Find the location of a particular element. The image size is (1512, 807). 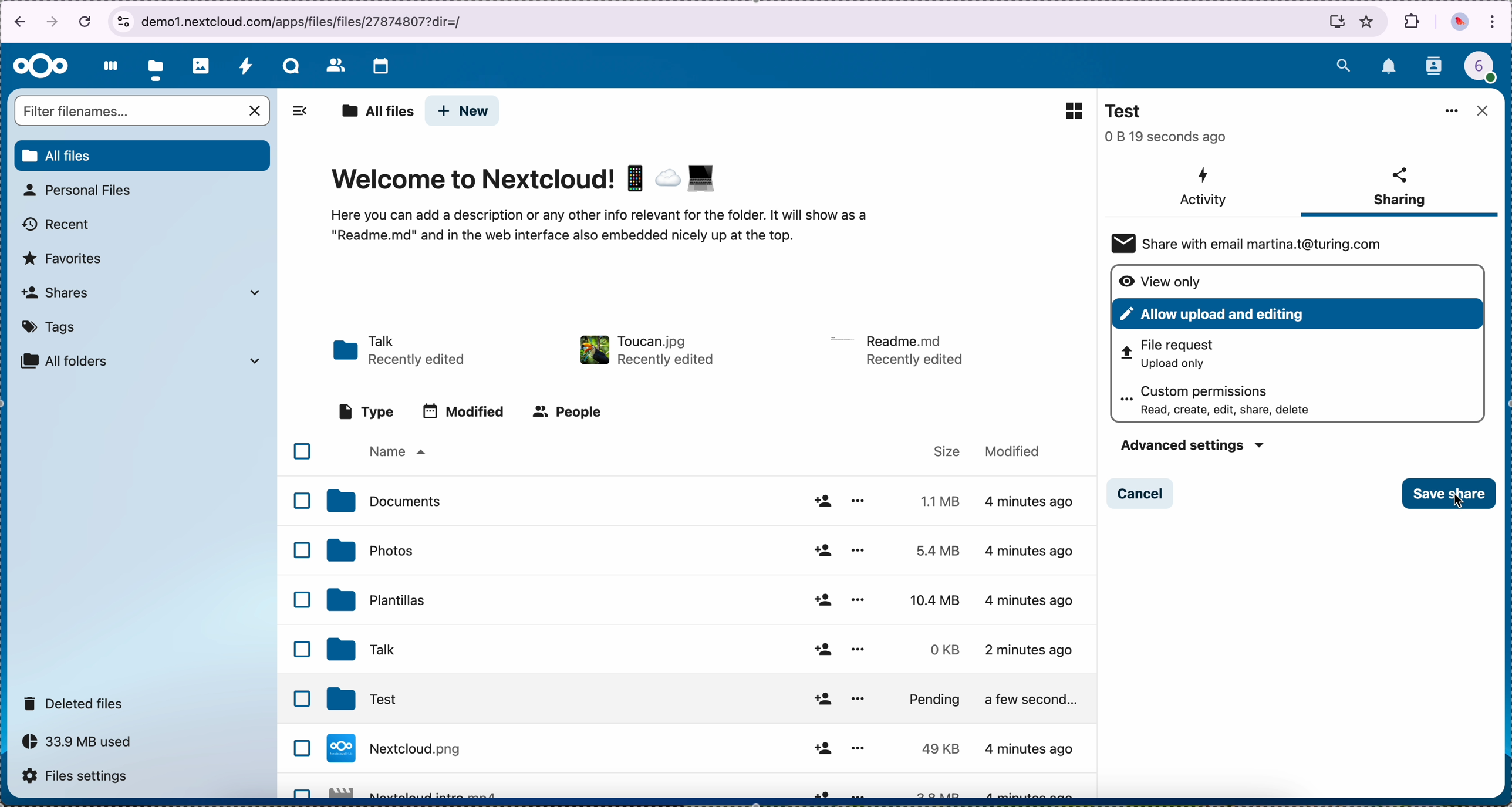

all files is located at coordinates (377, 112).